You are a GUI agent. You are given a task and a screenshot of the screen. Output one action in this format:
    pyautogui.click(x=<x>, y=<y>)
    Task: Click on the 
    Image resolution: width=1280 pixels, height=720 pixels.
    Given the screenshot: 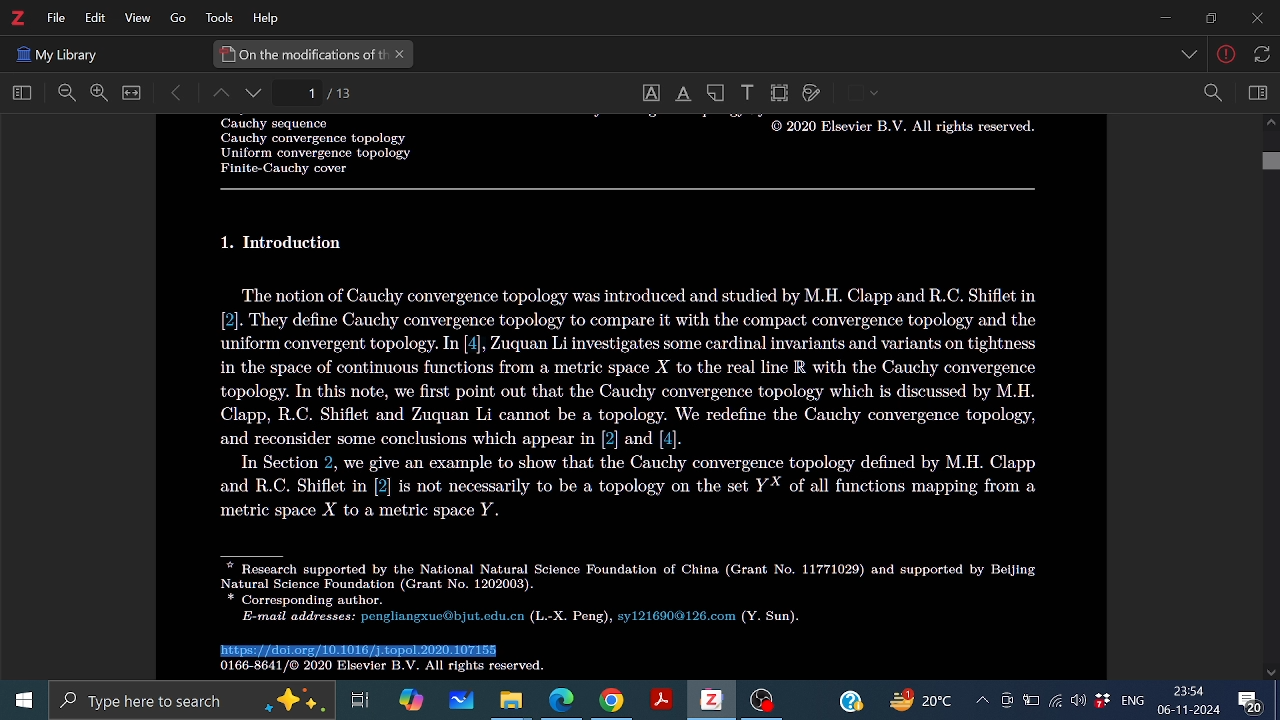 What is the action you would take?
    pyautogui.click(x=1259, y=53)
    